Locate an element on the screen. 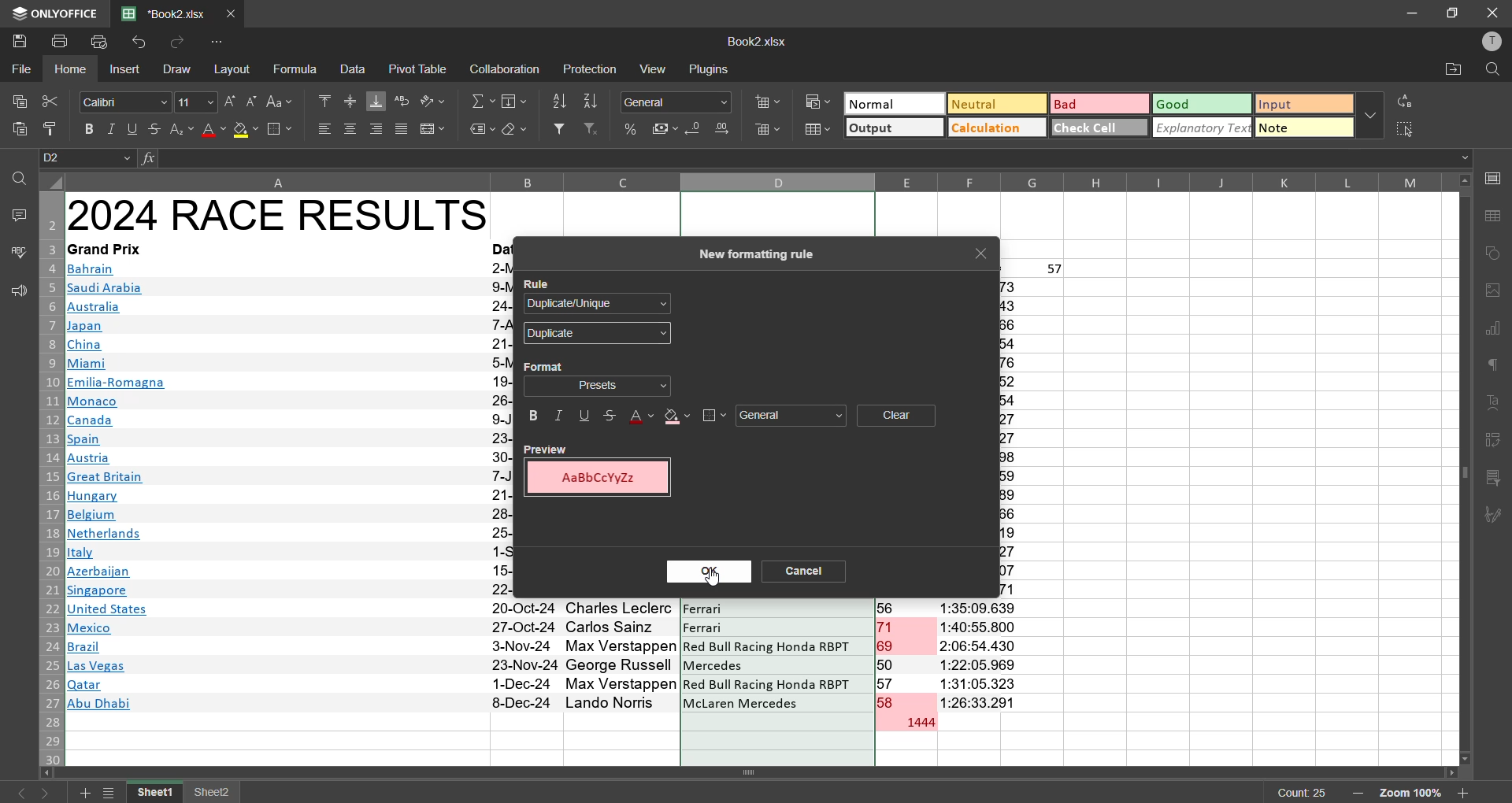  replace is located at coordinates (1408, 101).